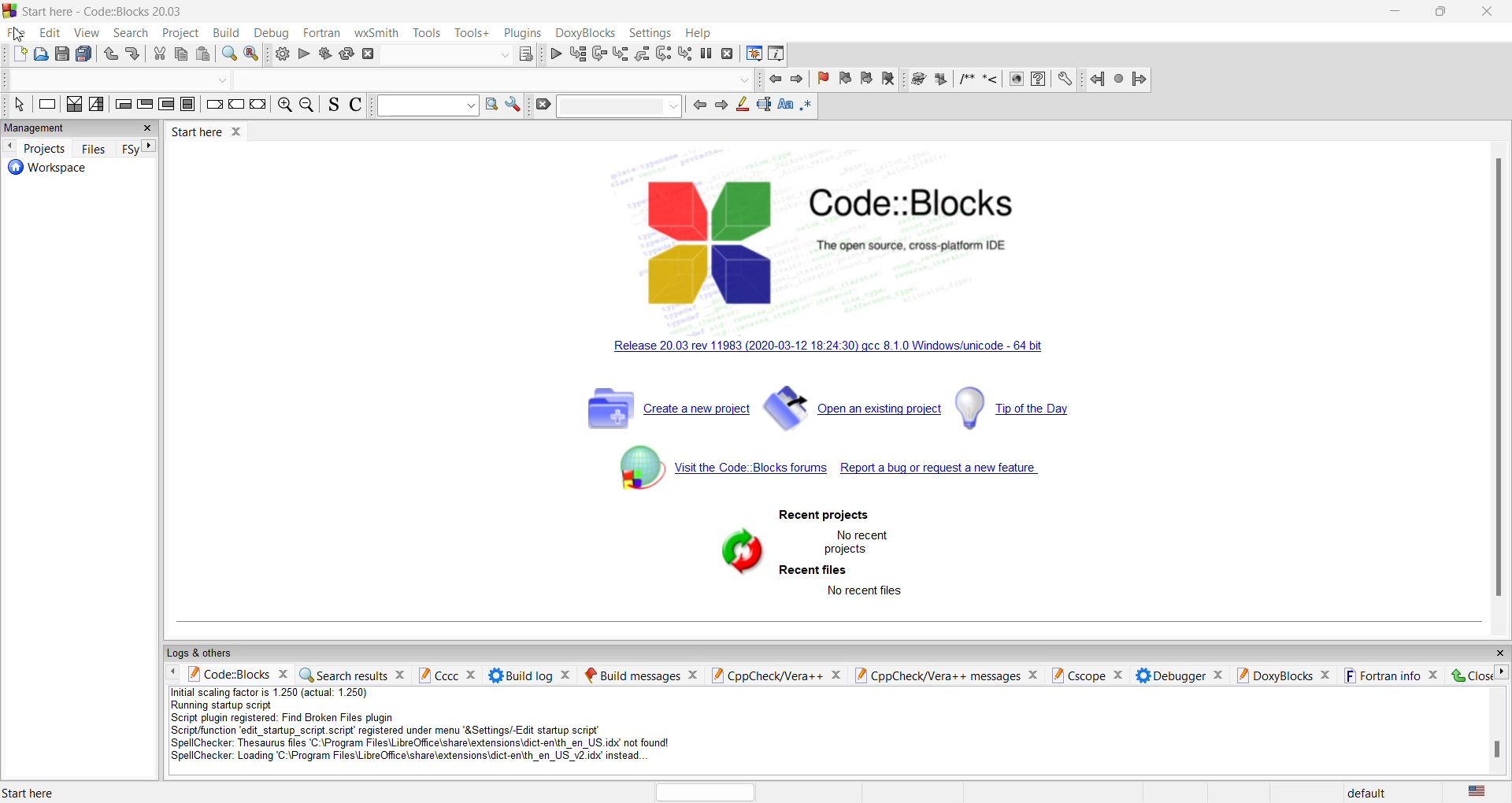 Image resolution: width=1512 pixels, height=803 pixels. I want to click on projects, so click(46, 149).